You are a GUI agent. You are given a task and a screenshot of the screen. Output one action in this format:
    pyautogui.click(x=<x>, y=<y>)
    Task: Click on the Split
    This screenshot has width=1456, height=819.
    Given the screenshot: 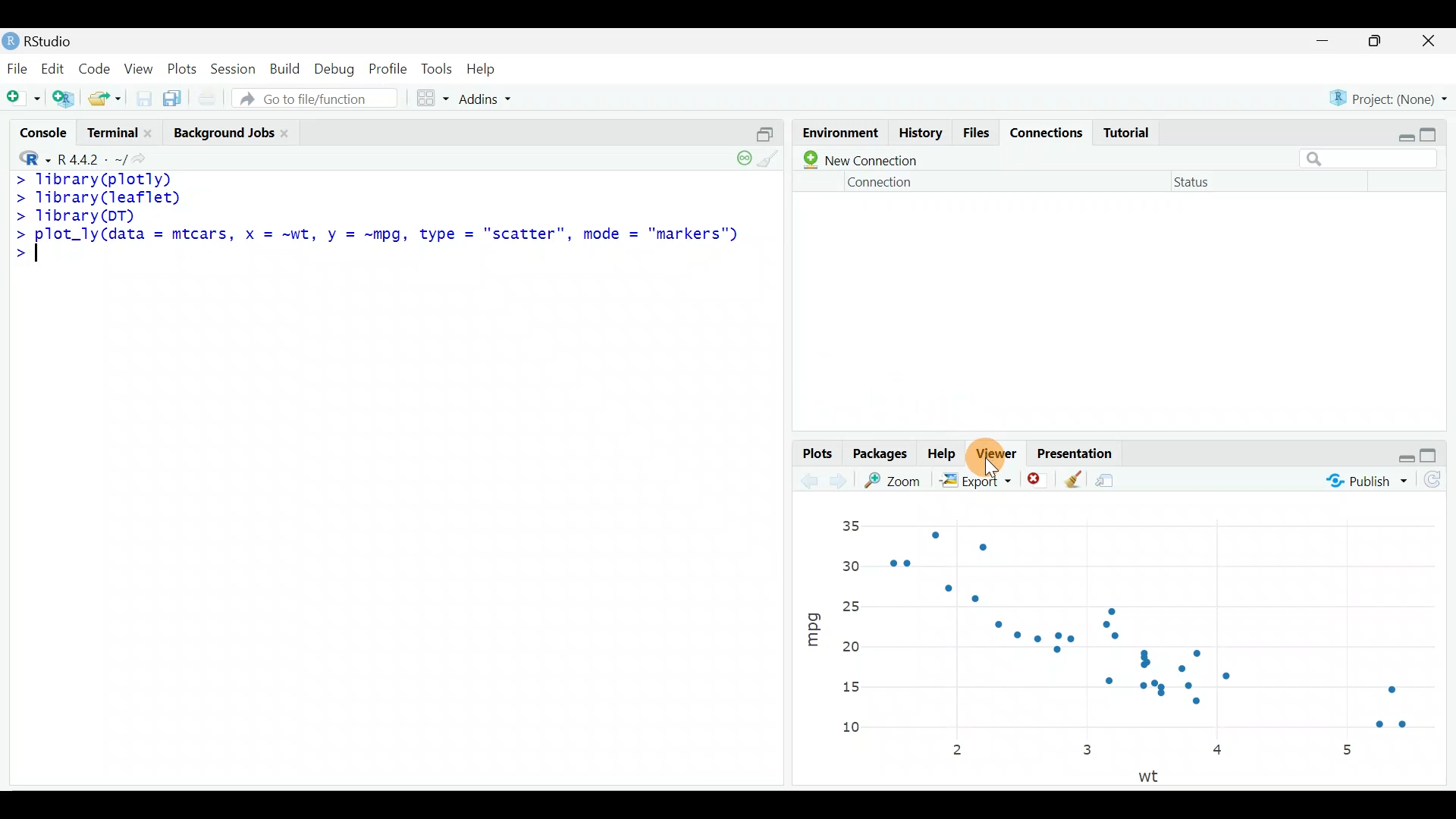 What is the action you would take?
    pyautogui.click(x=761, y=135)
    